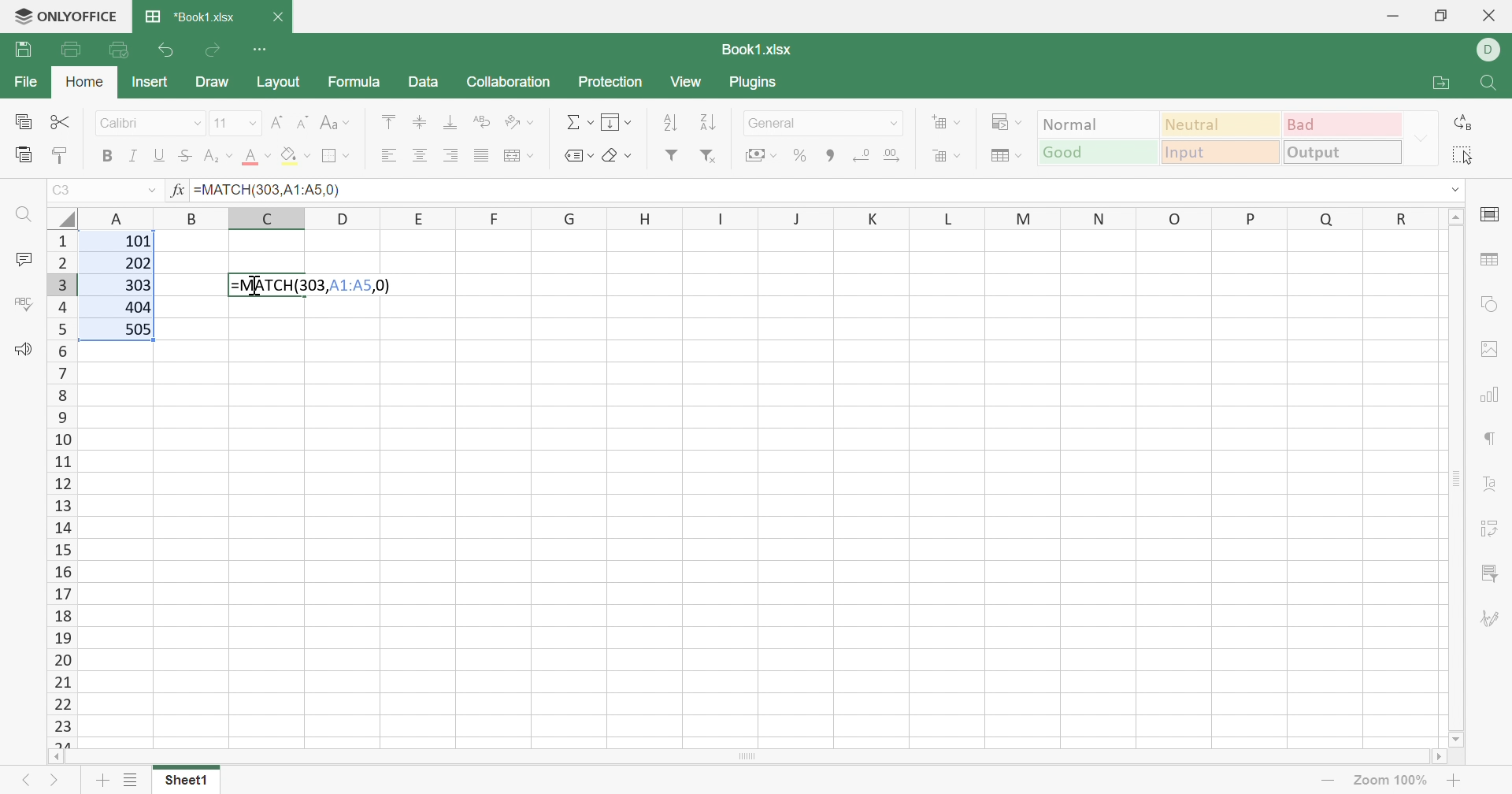 The height and width of the screenshot is (794, 1512). I want to click on Zoom out, so click(1325, 780).